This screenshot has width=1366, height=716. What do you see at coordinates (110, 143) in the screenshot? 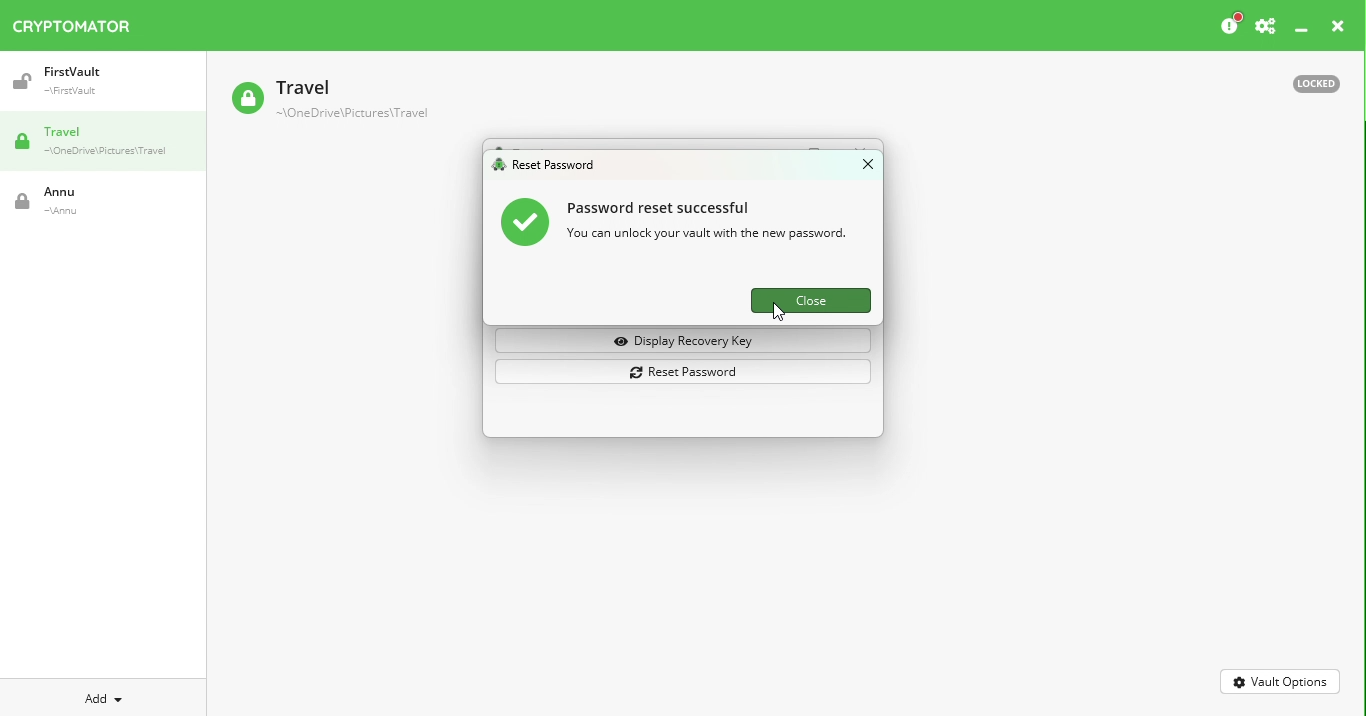
I see `Travel` at bounding box center [110, 143].